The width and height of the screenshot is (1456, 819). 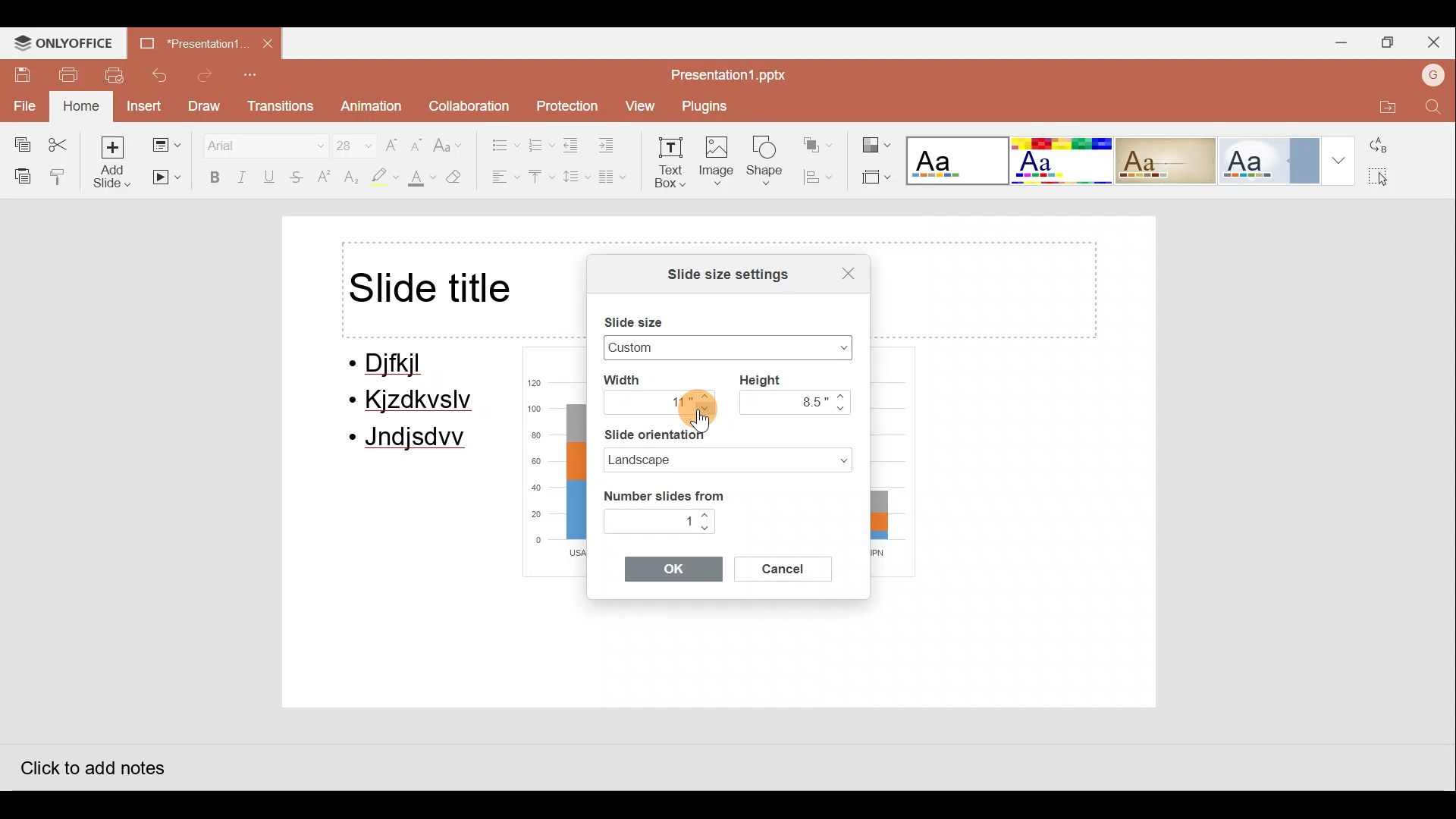 I want to click on Increase font size, so click(x=393, y=140).